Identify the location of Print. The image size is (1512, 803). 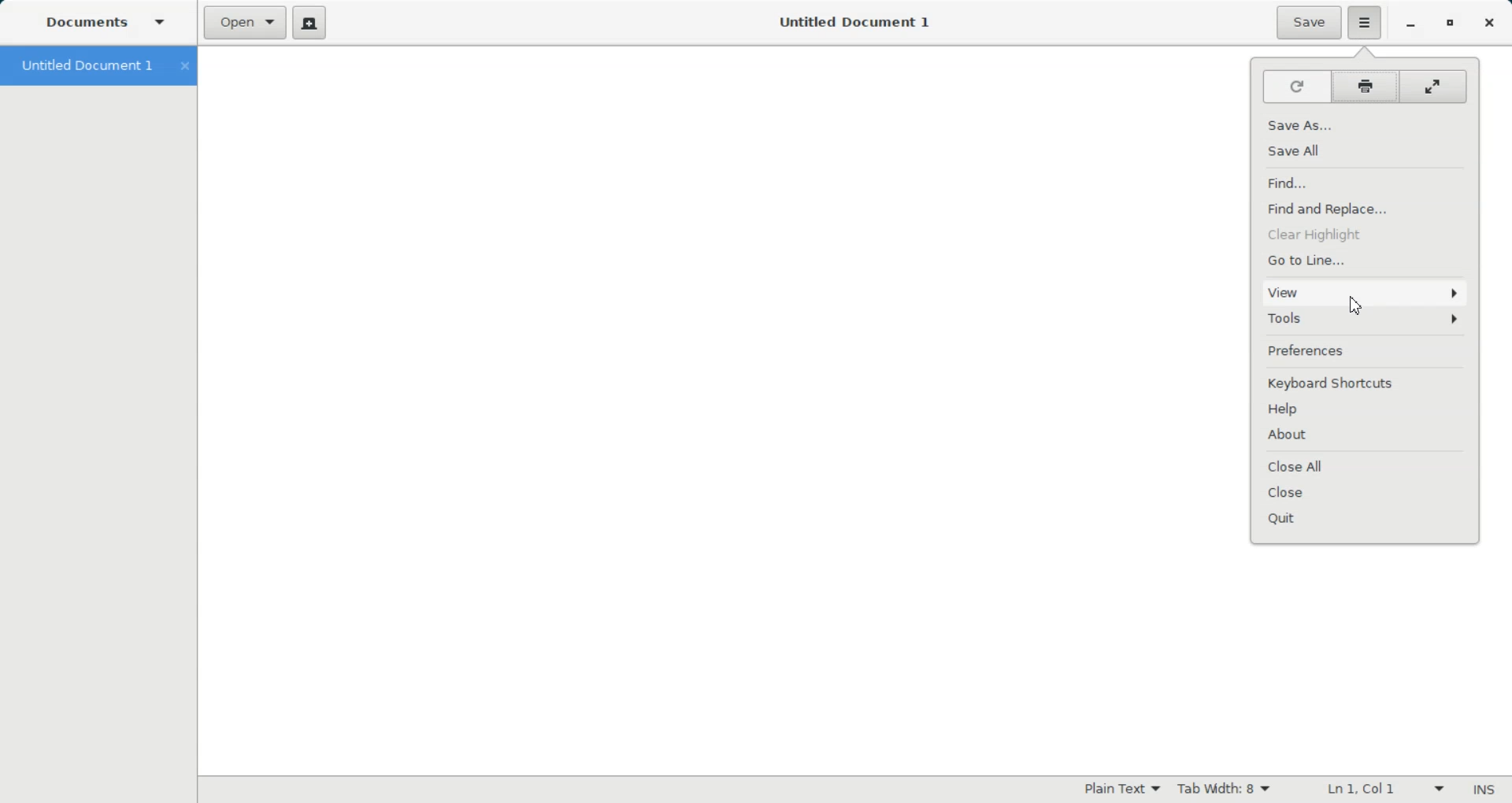
(1365, 87).